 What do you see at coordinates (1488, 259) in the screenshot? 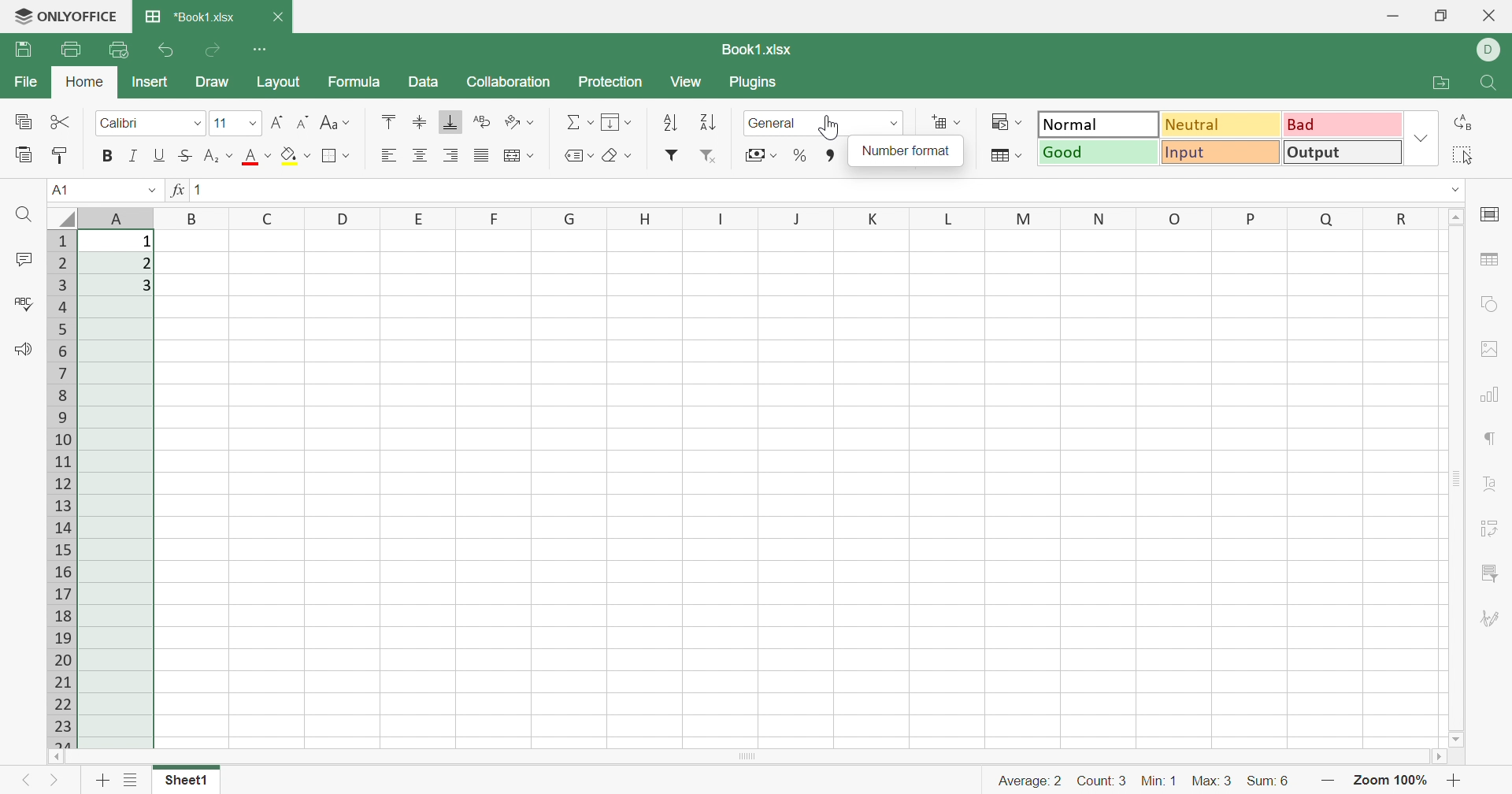
I see `Table settings` at bounding box center [1488, 259].